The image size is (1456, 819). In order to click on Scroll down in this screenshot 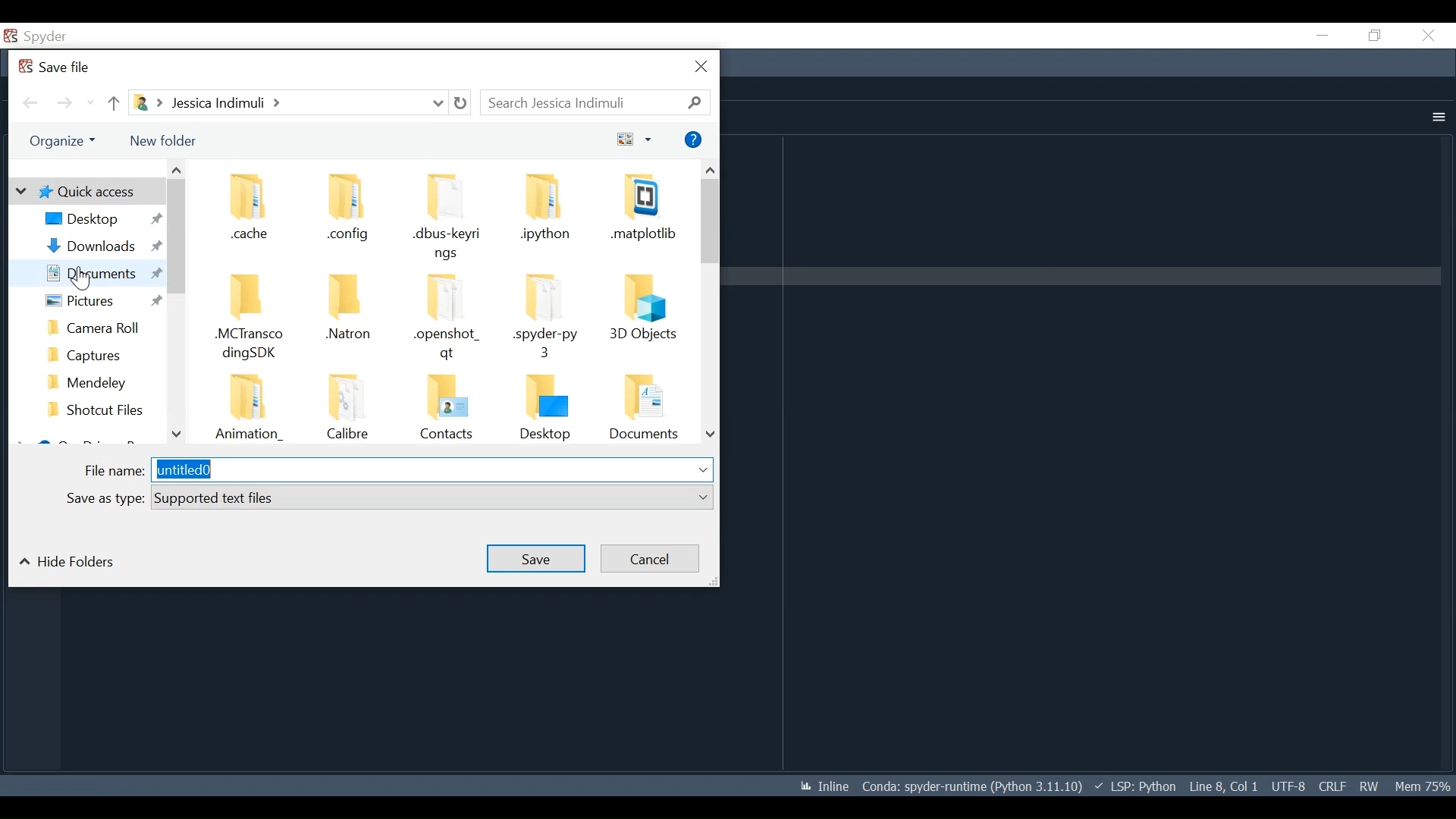, I will do `click(176, 435)`.